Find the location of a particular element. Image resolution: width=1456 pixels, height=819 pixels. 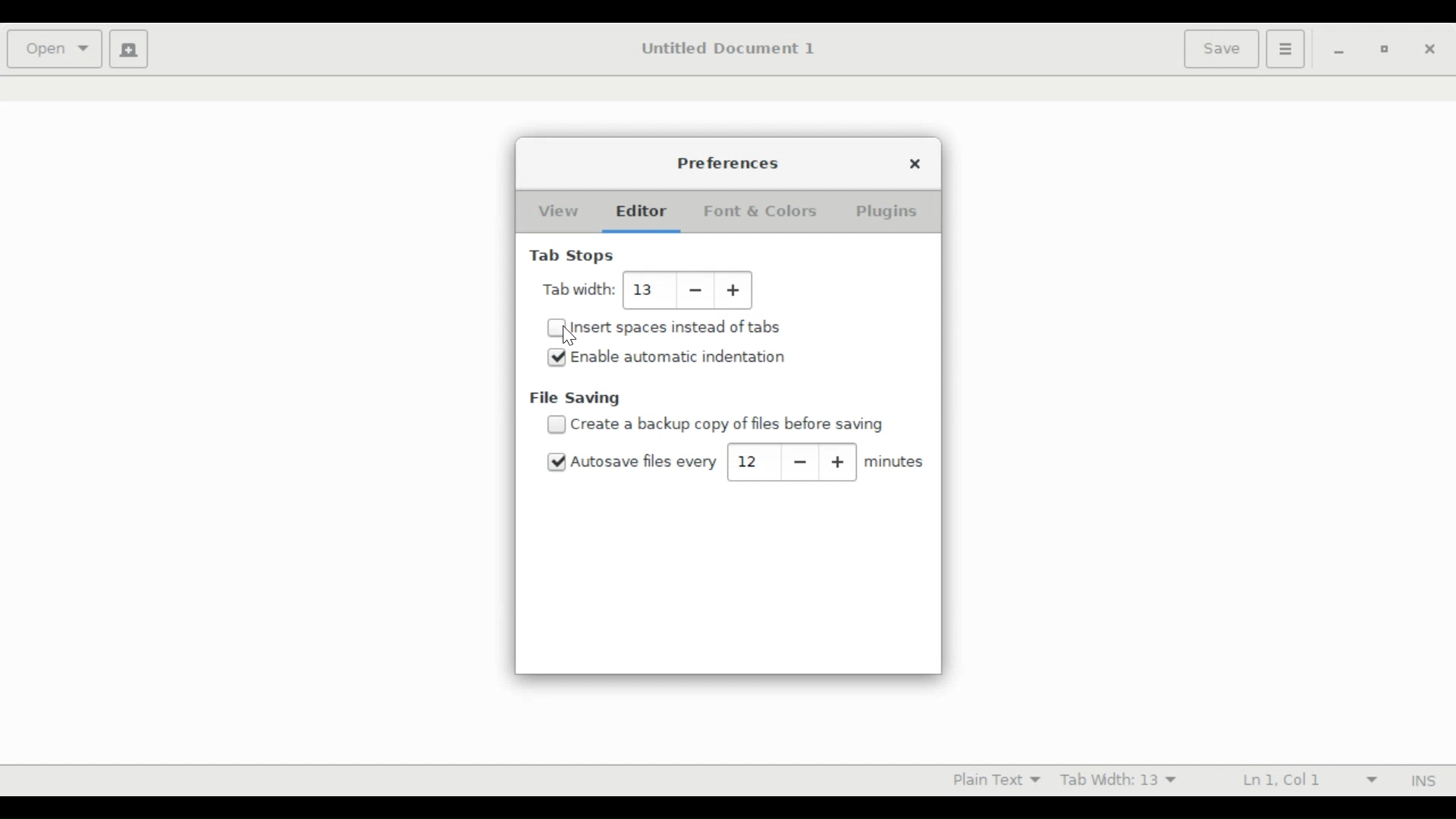

Plugins is located at coordinates (886, 212).